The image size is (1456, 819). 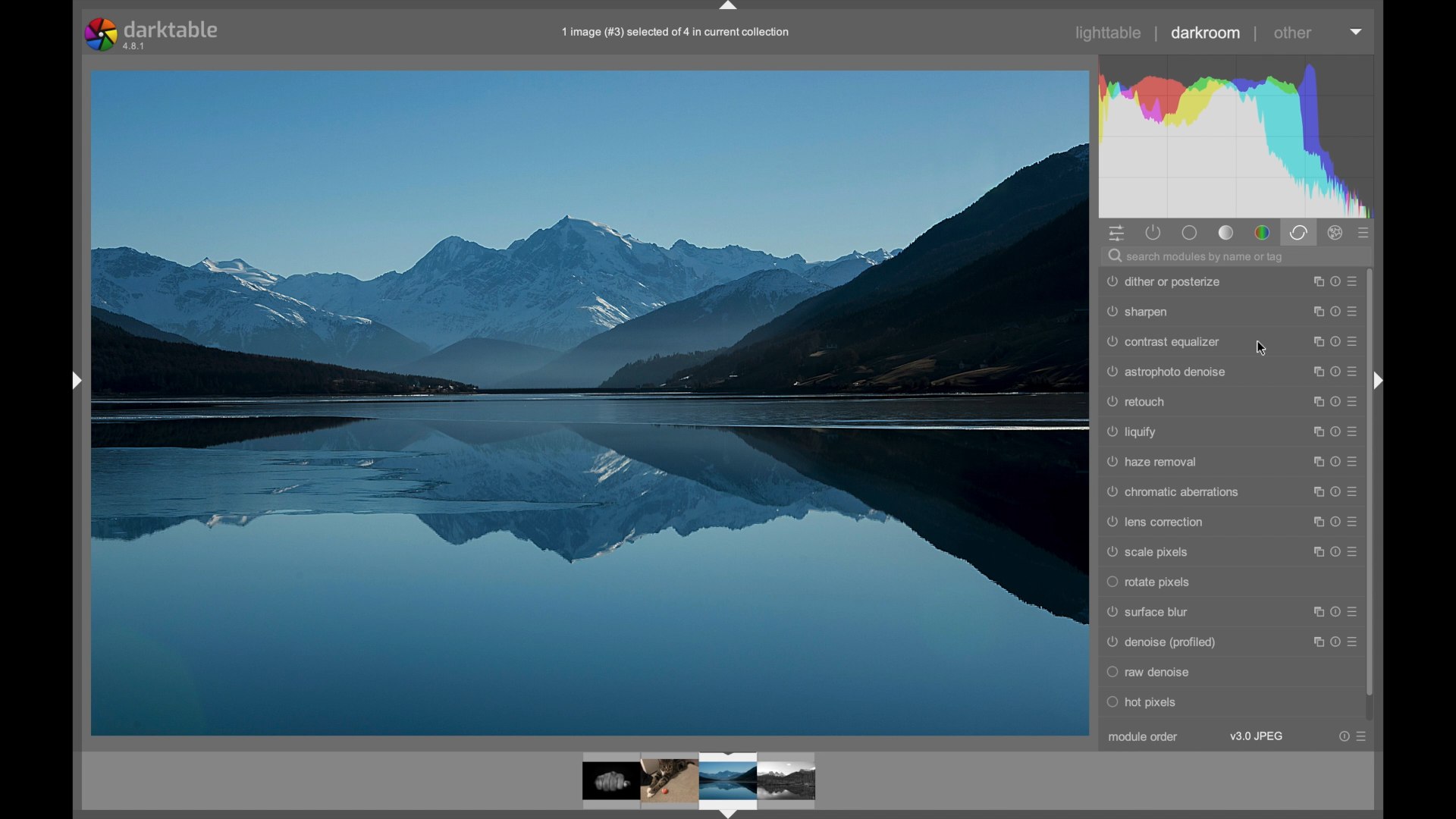 What do you see at coordinates (1145, 738) in the screenshot?
I see `module order` at bounding box center [1145, 738].